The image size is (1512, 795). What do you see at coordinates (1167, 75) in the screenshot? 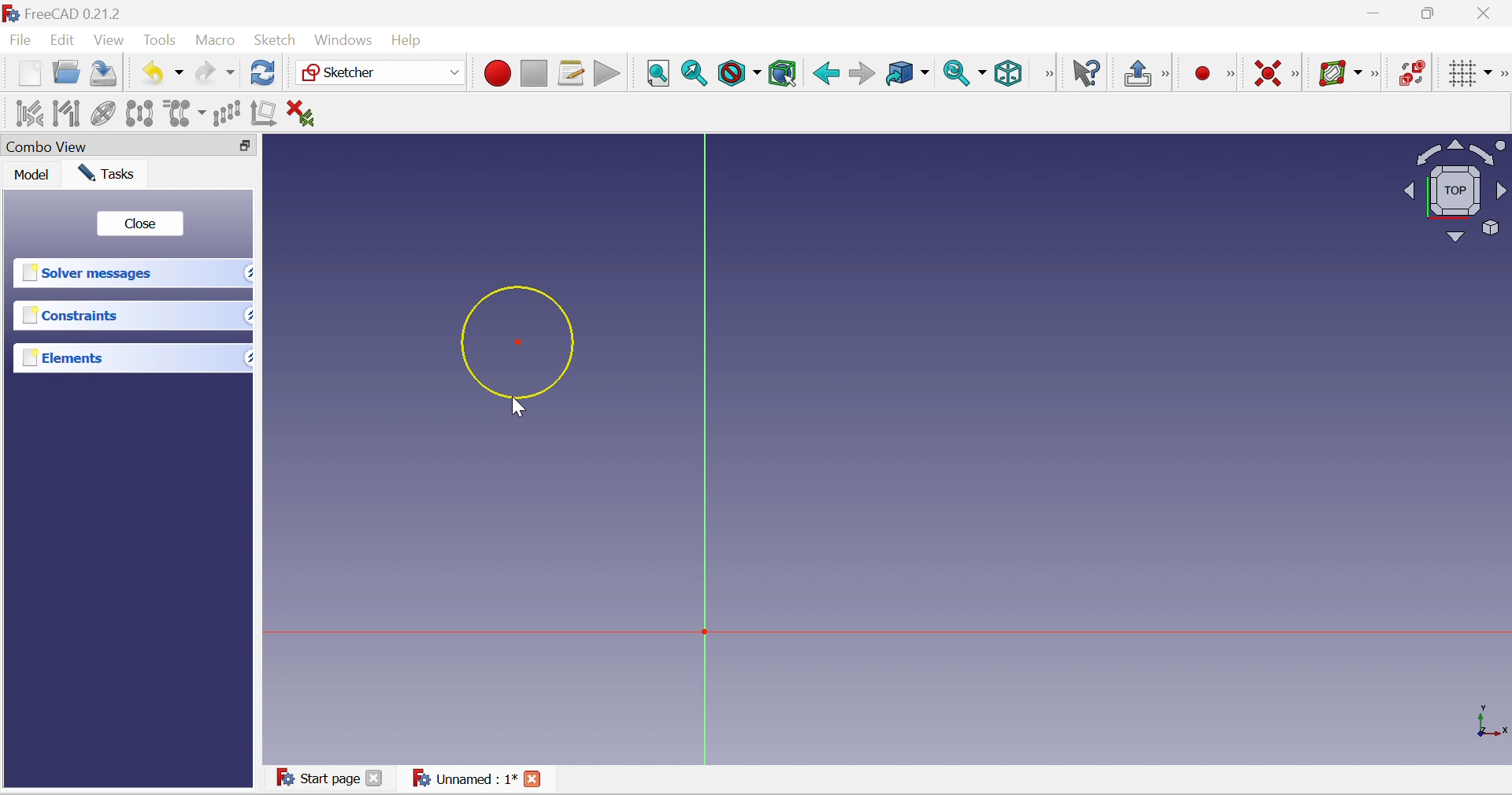
I see `[Sketch edit mode]` at bounding box center [1167, 75].